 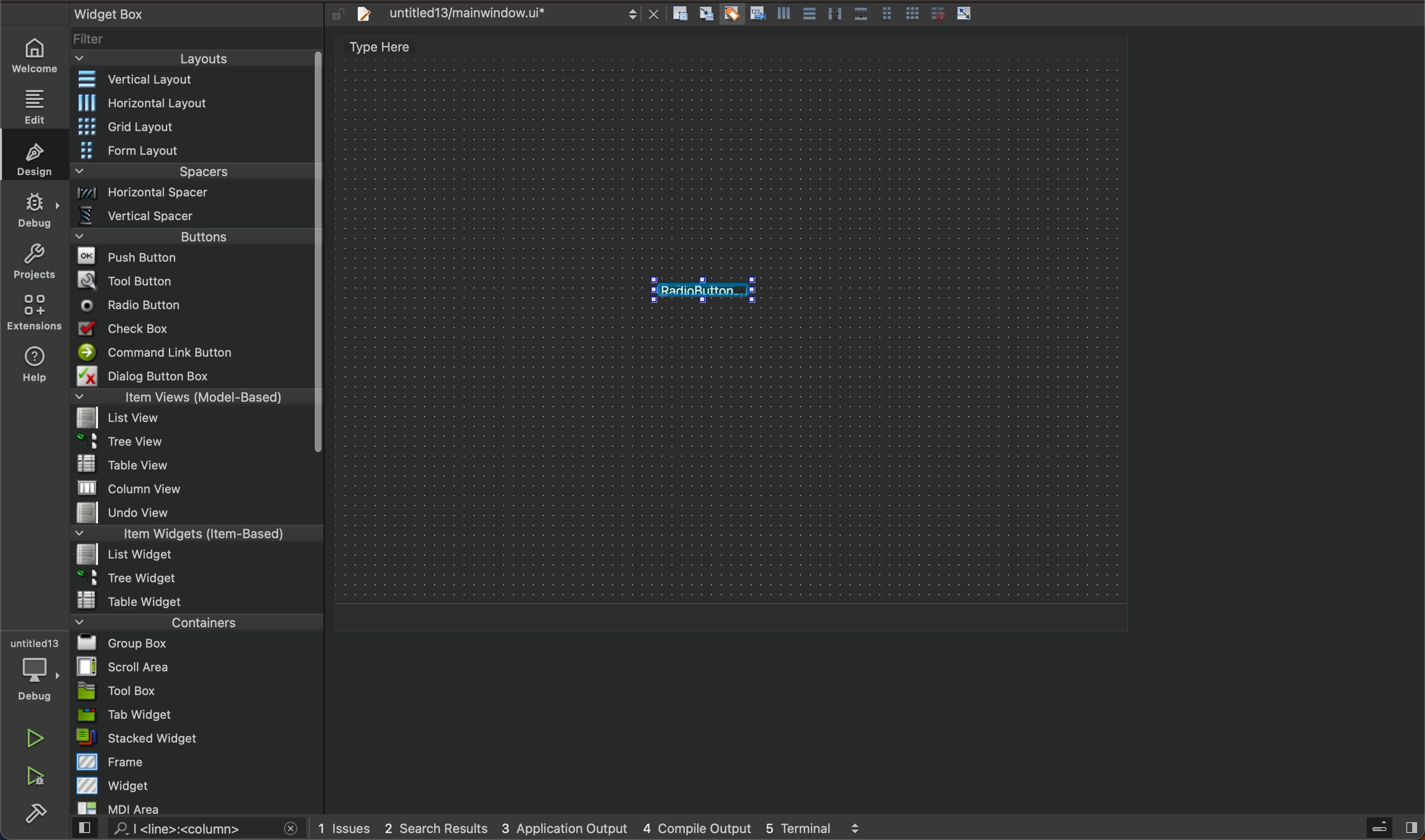 I want to click on column , so click(x=198, y=487).